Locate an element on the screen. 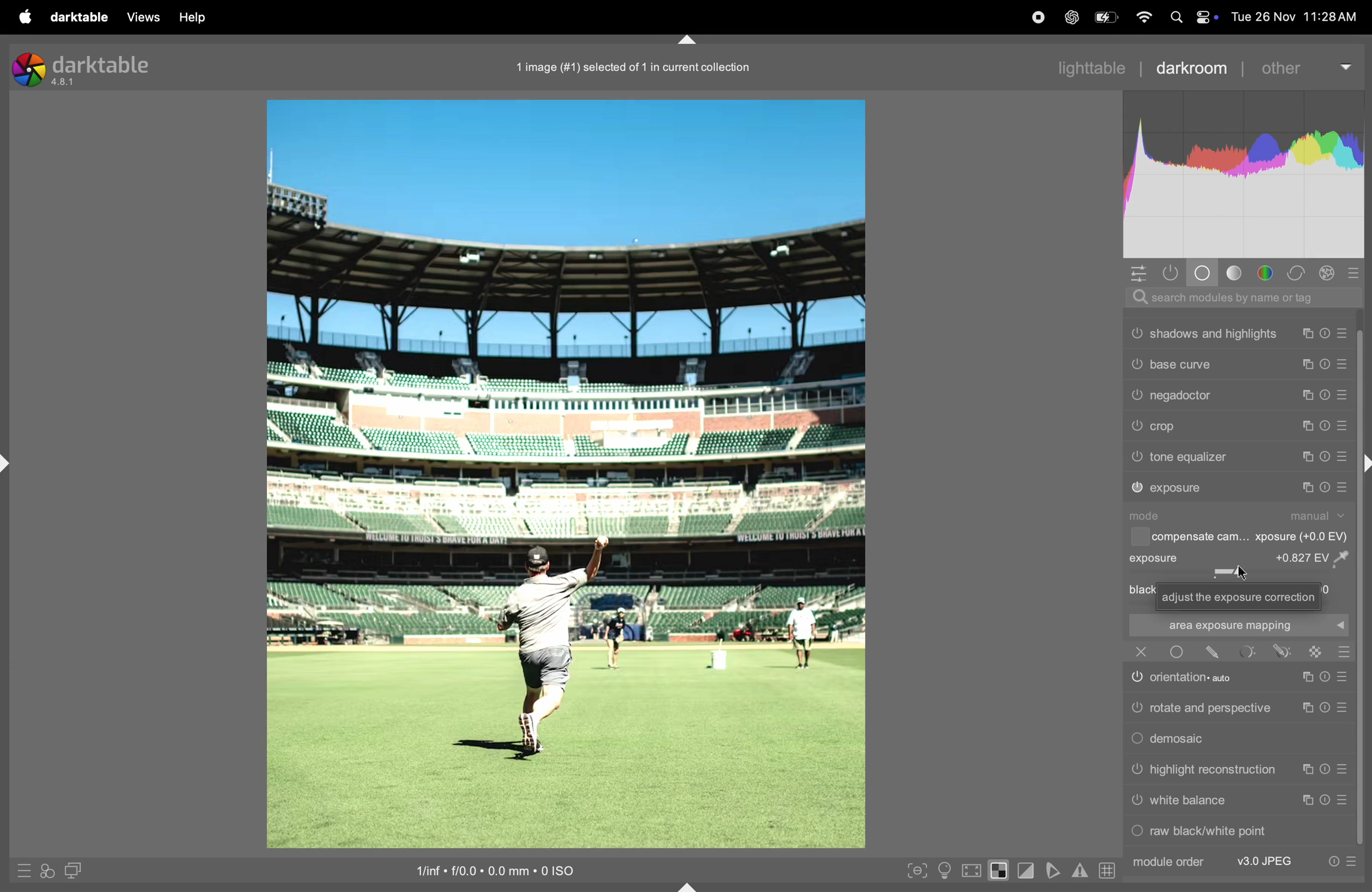  histogram is located at coordinates (1245, 174).